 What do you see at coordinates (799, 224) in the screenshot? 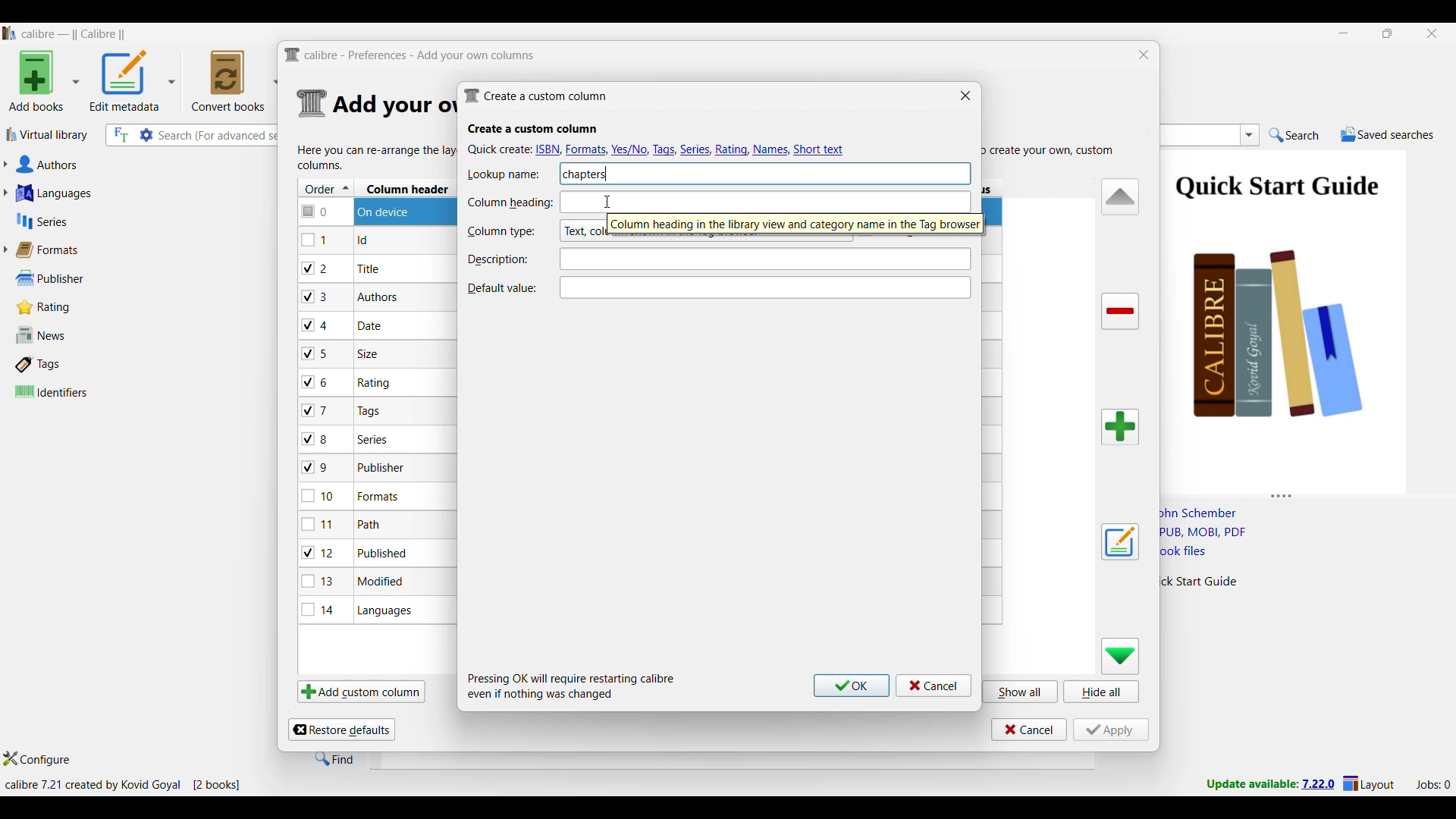
I see `cursor action description` at bounding box center [799, 224].